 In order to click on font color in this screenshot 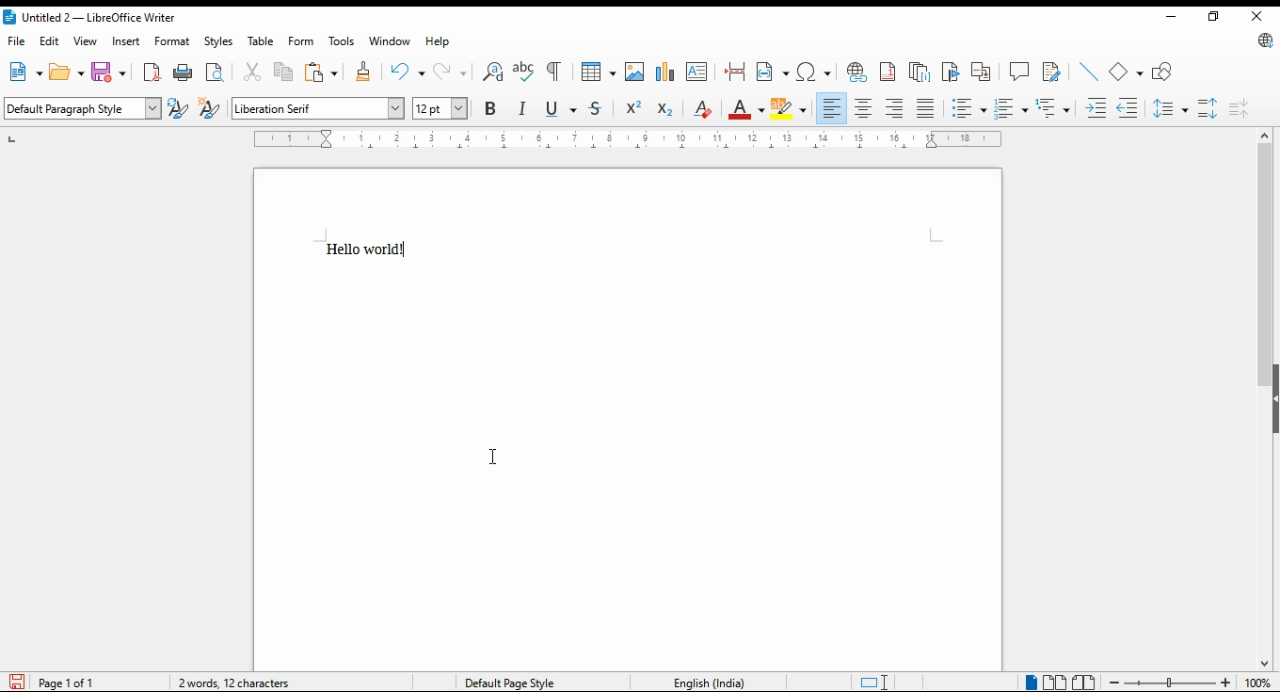, I will do `click(744, 112)`.